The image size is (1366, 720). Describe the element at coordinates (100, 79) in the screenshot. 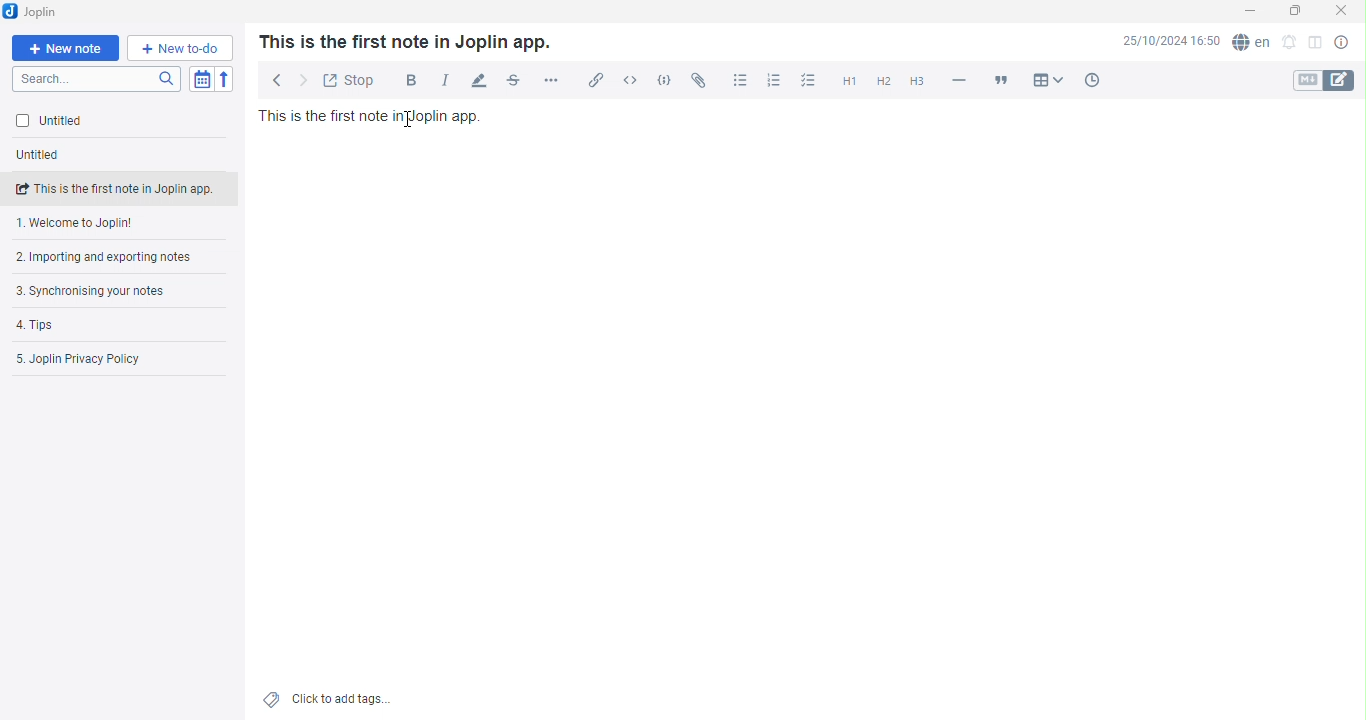

I see `Search` at that location.